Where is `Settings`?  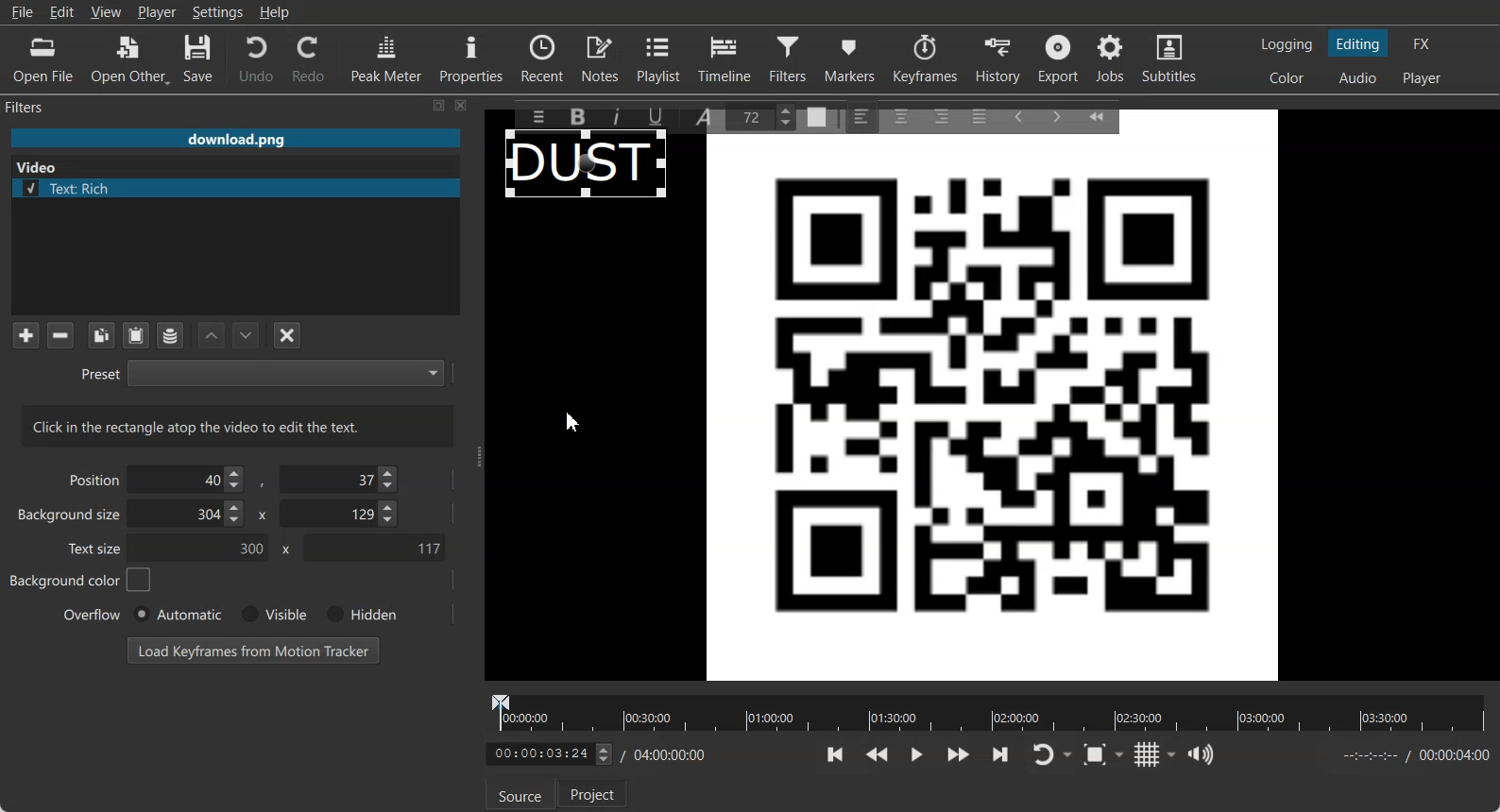 Settings is located at coordinates (218, 12).